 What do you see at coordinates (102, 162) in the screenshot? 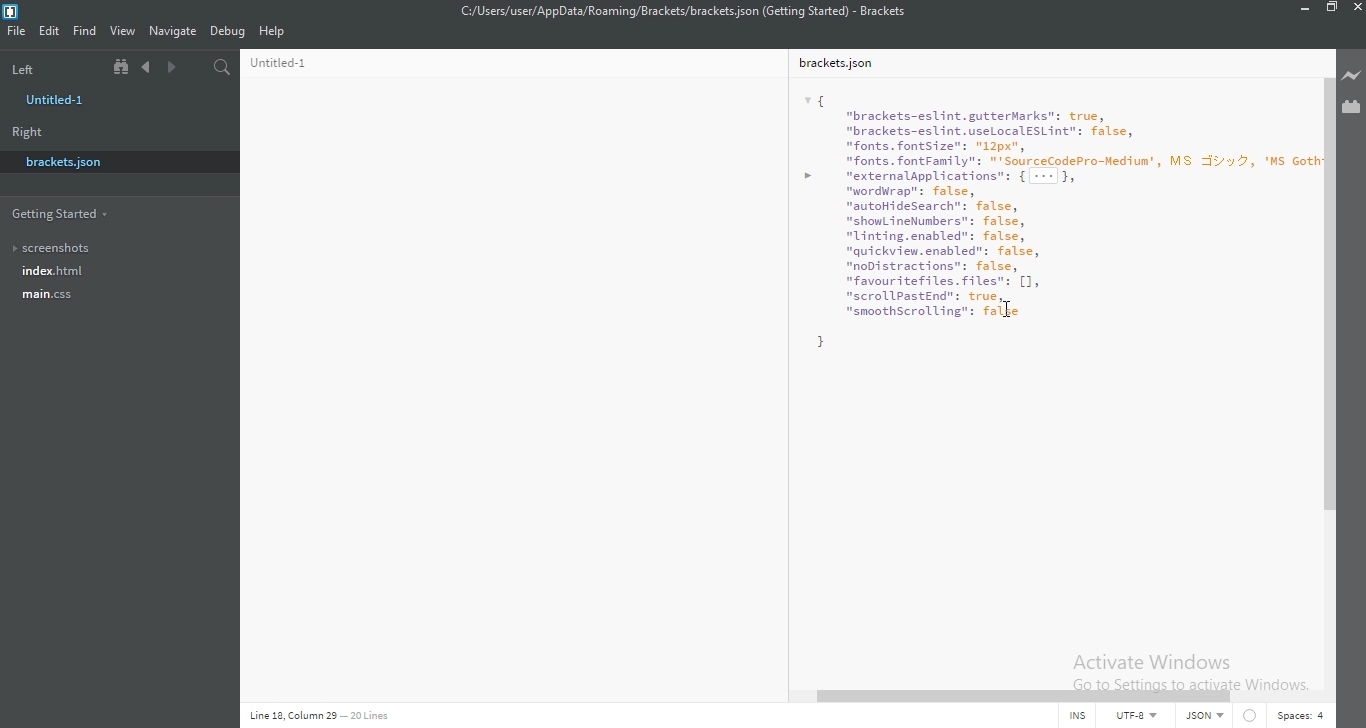
I see `brackets.json` at bounding box center [102, 162].